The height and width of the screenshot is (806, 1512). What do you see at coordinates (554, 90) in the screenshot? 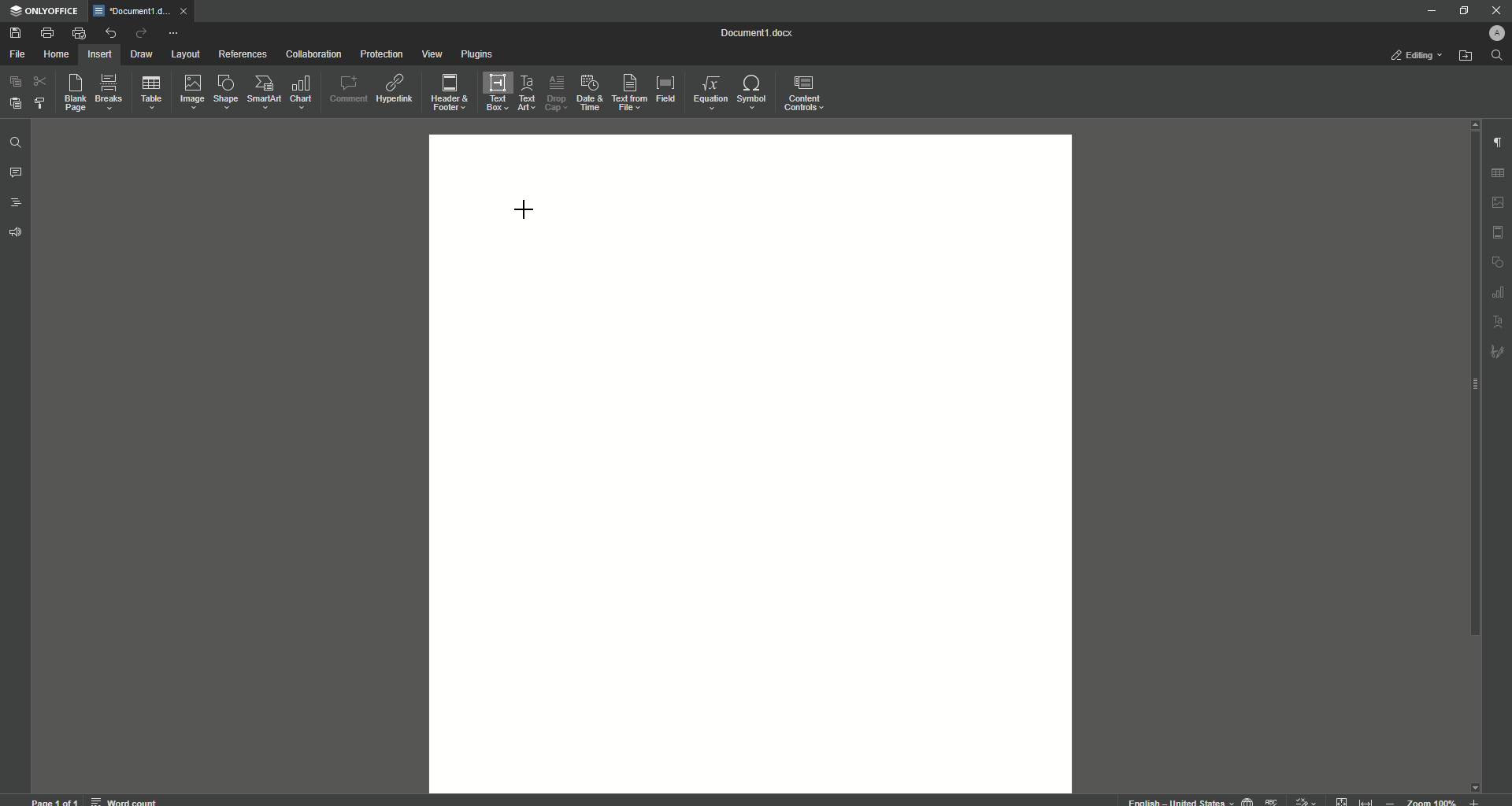
I see `Drop Cap` at bounding box center [554, 90].